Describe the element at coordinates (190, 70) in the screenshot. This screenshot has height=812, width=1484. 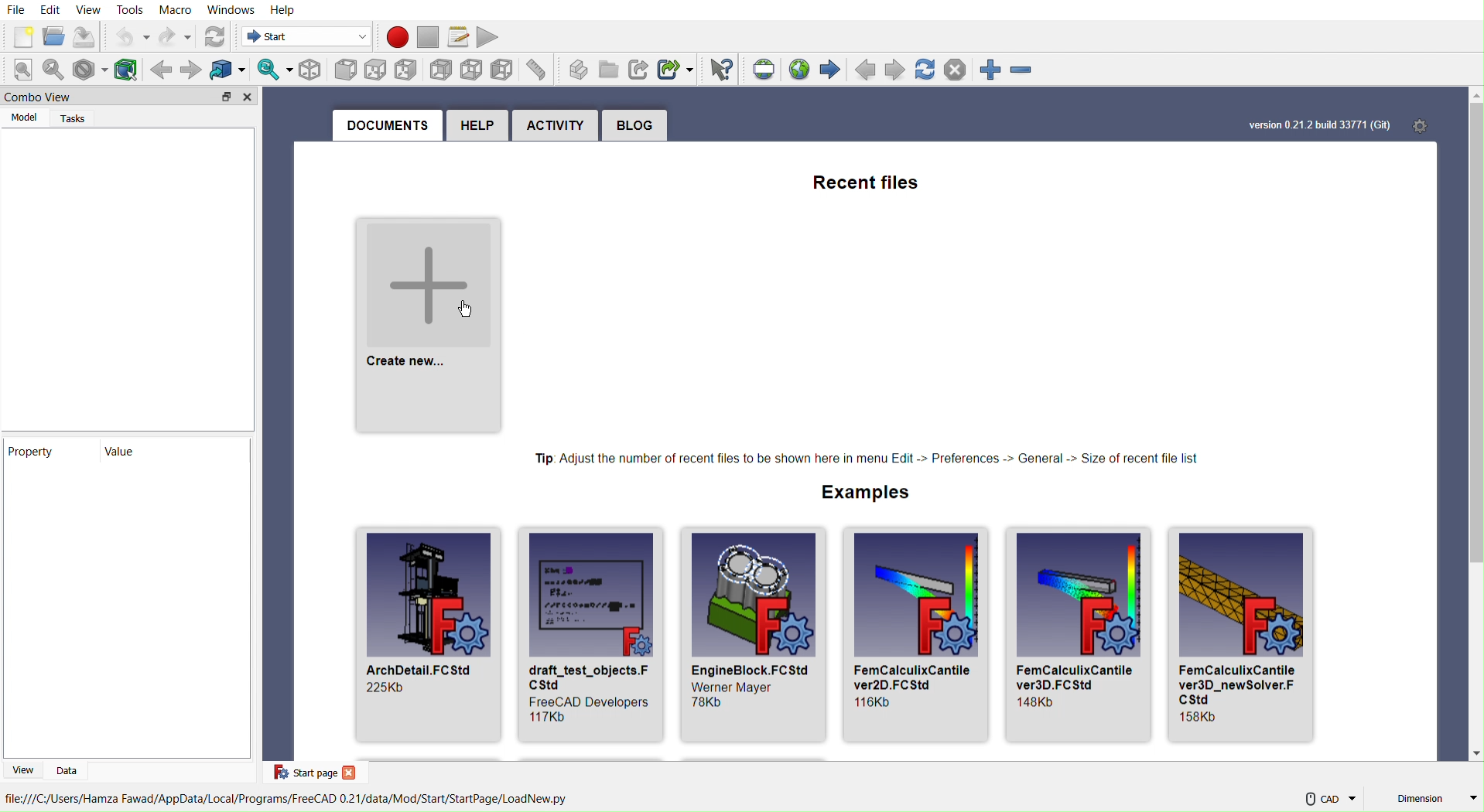
I see `Repeat the backed selection` at that location.